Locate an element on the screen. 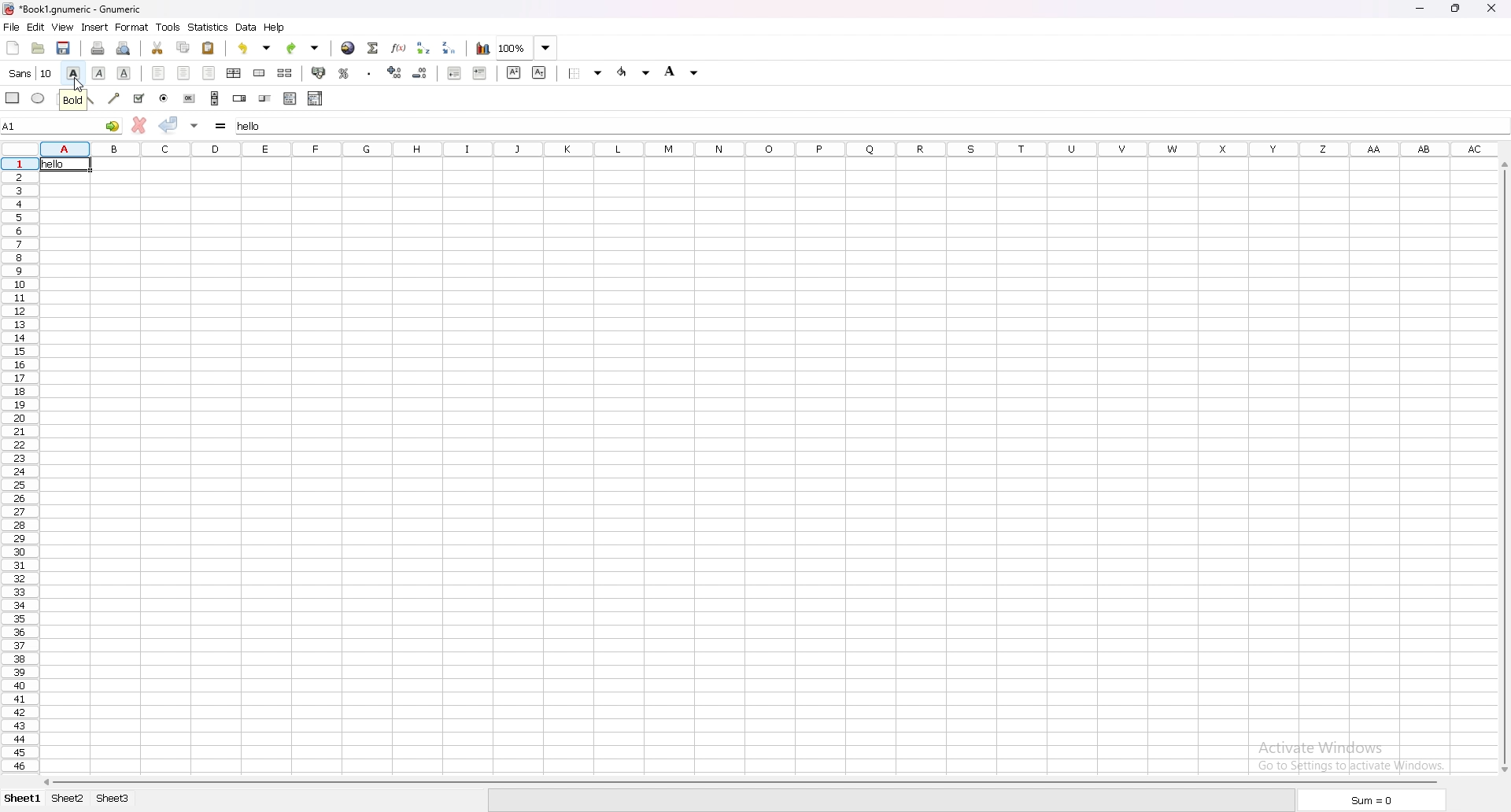  thousand separator is located at coordinates (370, 74).